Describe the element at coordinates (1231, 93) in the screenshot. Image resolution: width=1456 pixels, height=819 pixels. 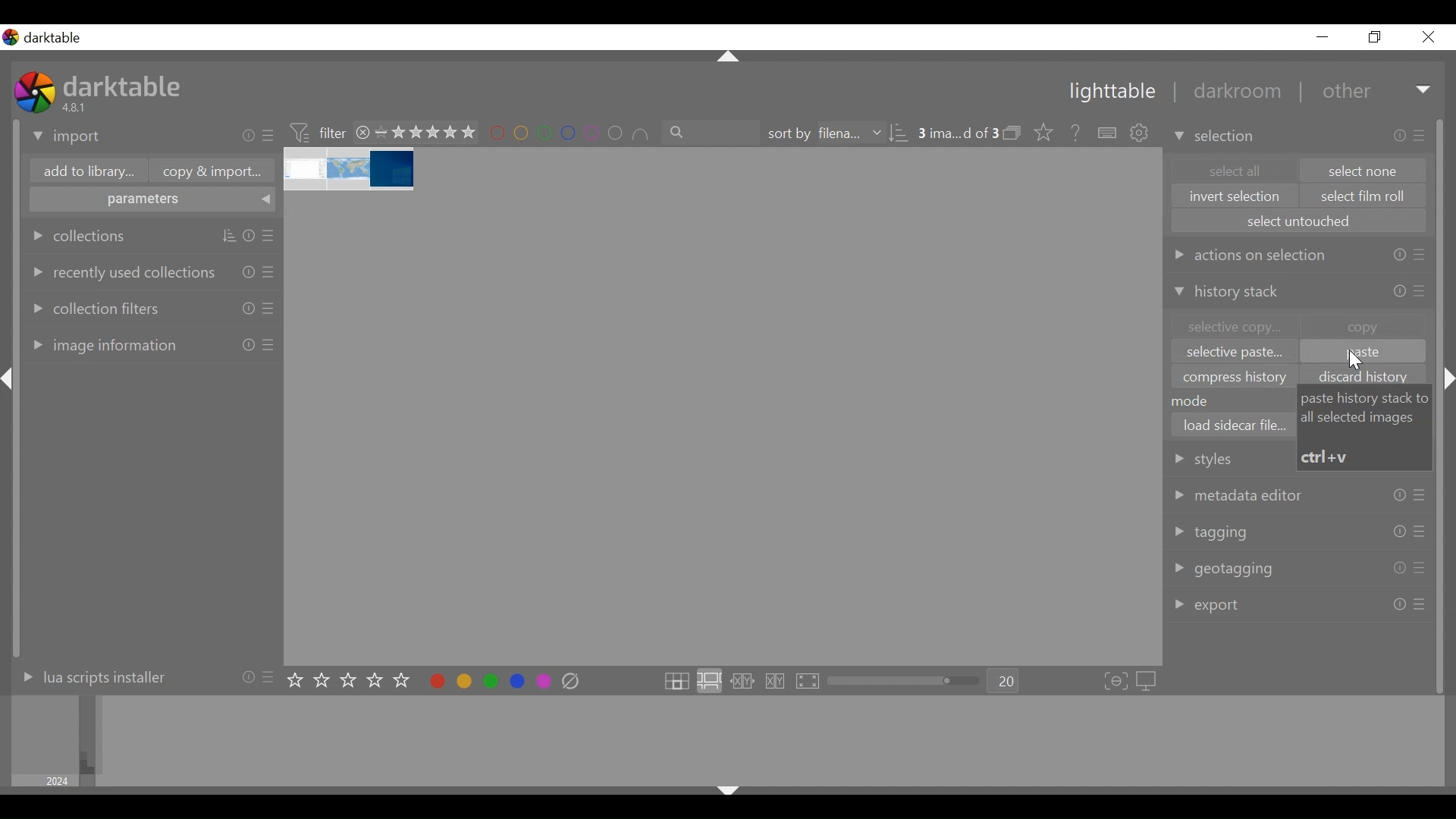
I see `darkroom` at that location.